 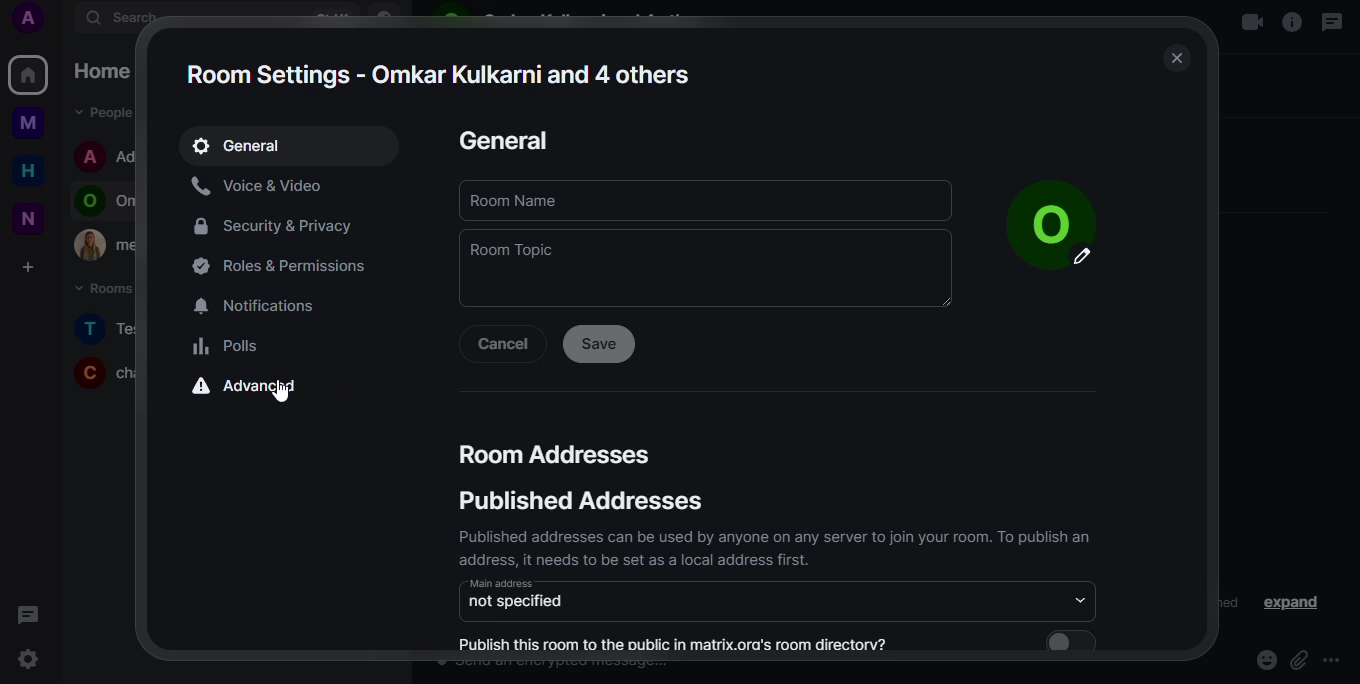 What do you see at coordinates (109, 199) in the screenshot?
I see `contact` at bounding box center [109, 199].